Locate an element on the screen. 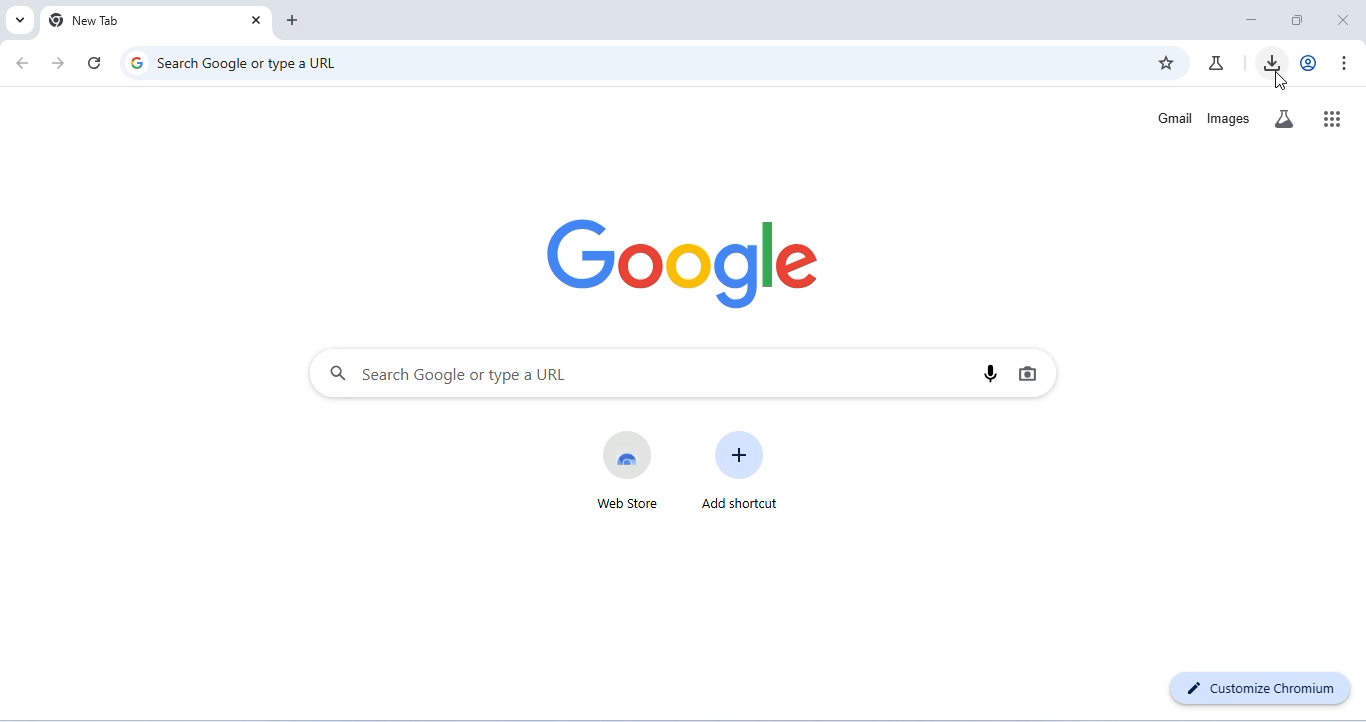 The height and width of the screenshot is (722, 1366). account is located at coordinates (1310, 61).